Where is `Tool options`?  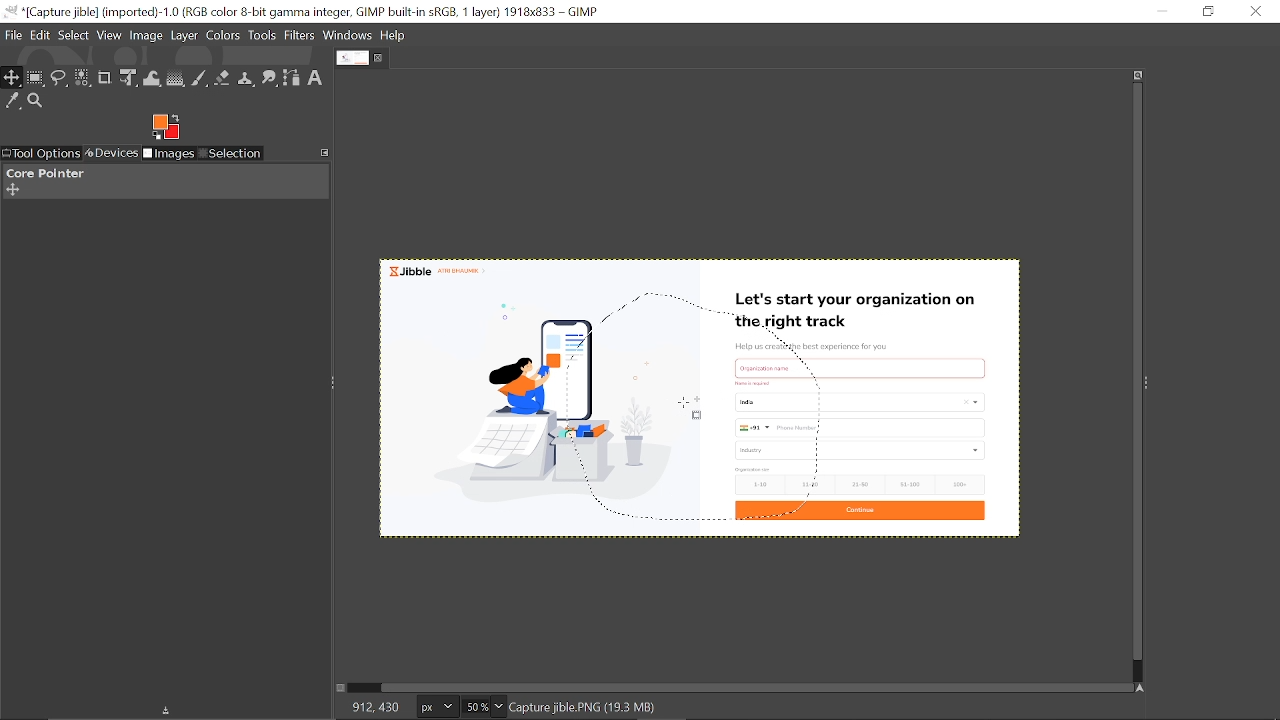 Tool options is located at coordinates (40, 154).